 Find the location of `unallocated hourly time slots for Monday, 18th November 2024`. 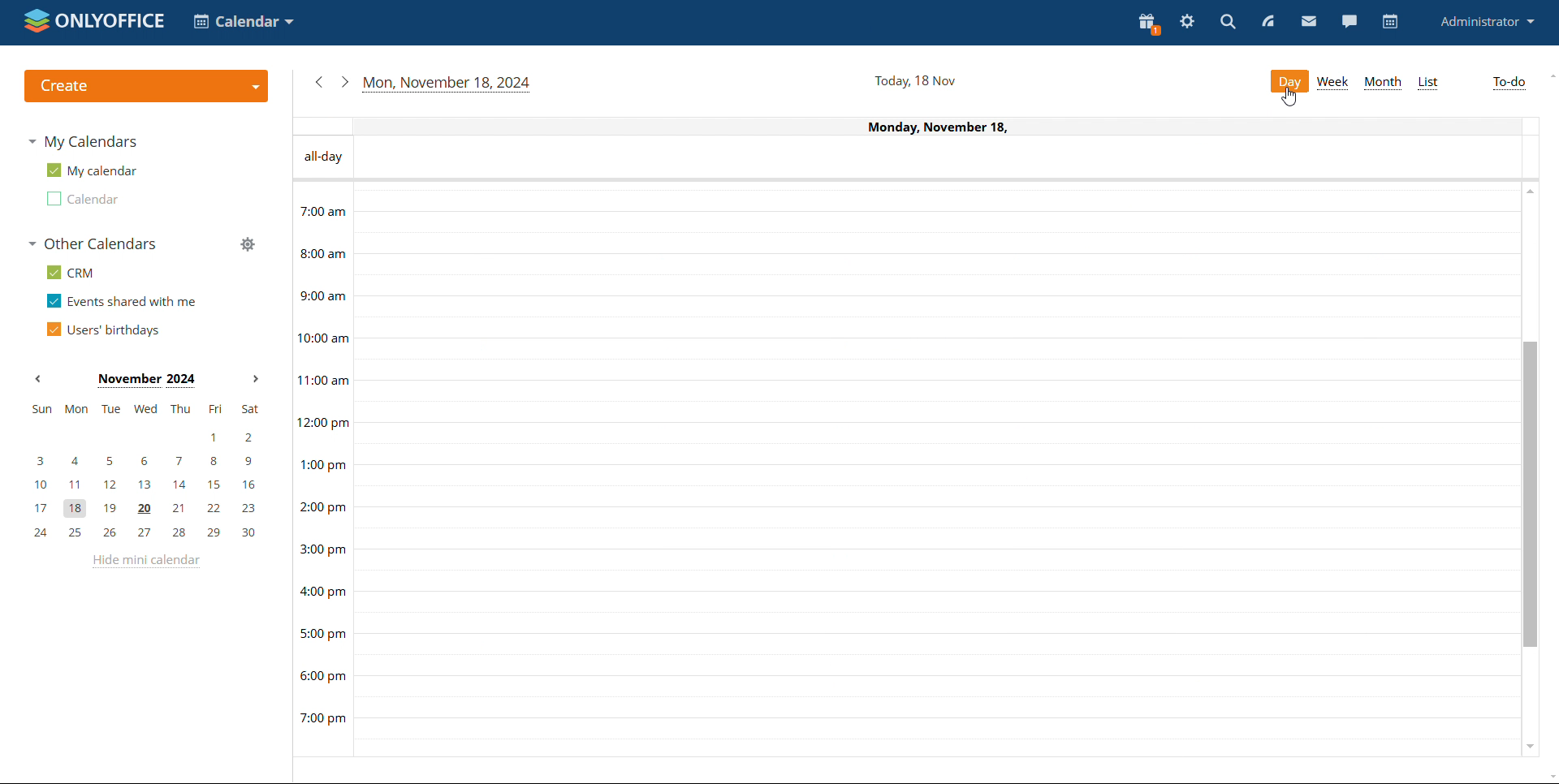

unallocated hourly time slots for Monday, 18th November 2024 is located at coordinates (938, 444).